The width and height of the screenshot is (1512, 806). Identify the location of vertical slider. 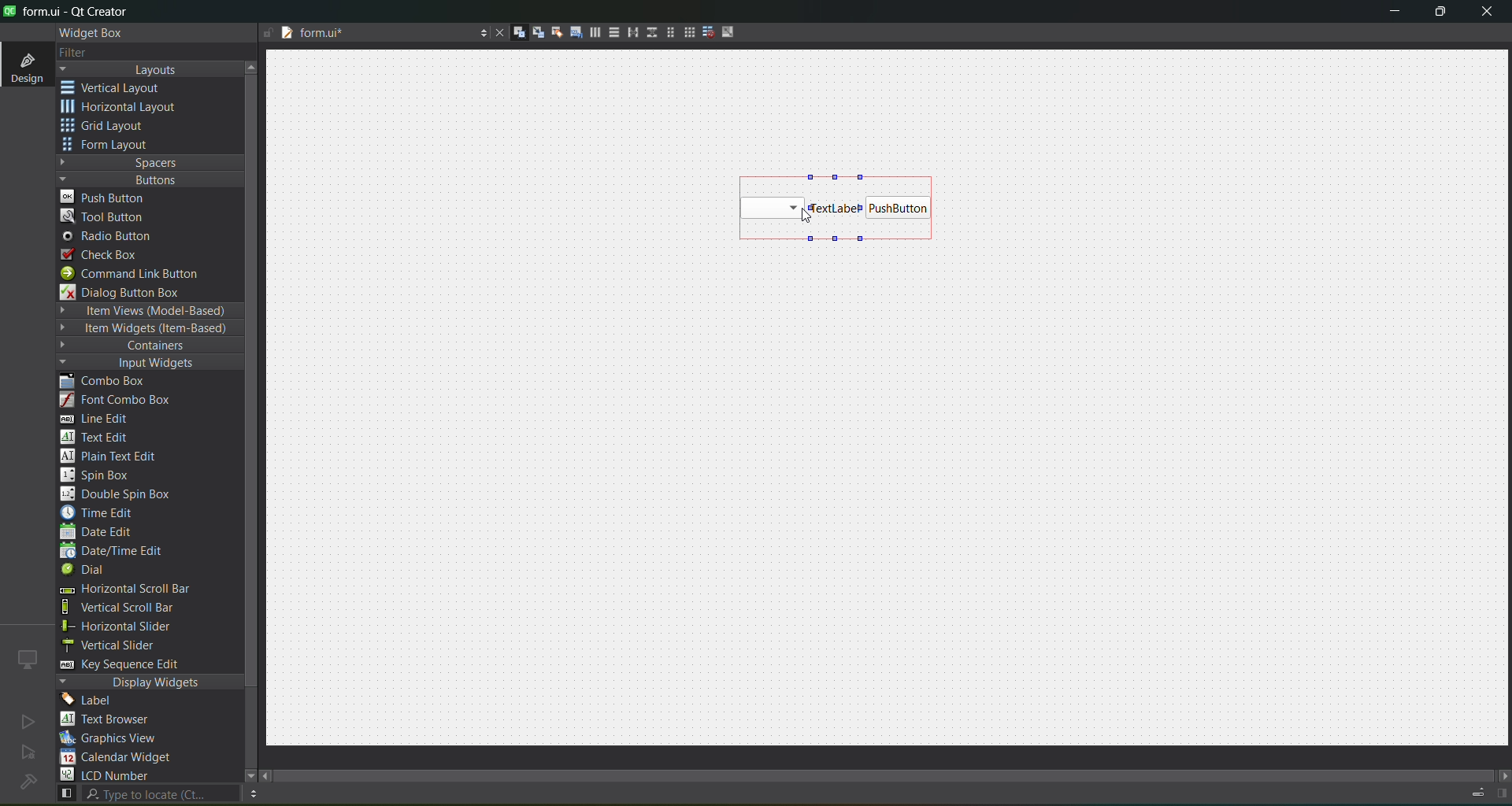
(124, 645).